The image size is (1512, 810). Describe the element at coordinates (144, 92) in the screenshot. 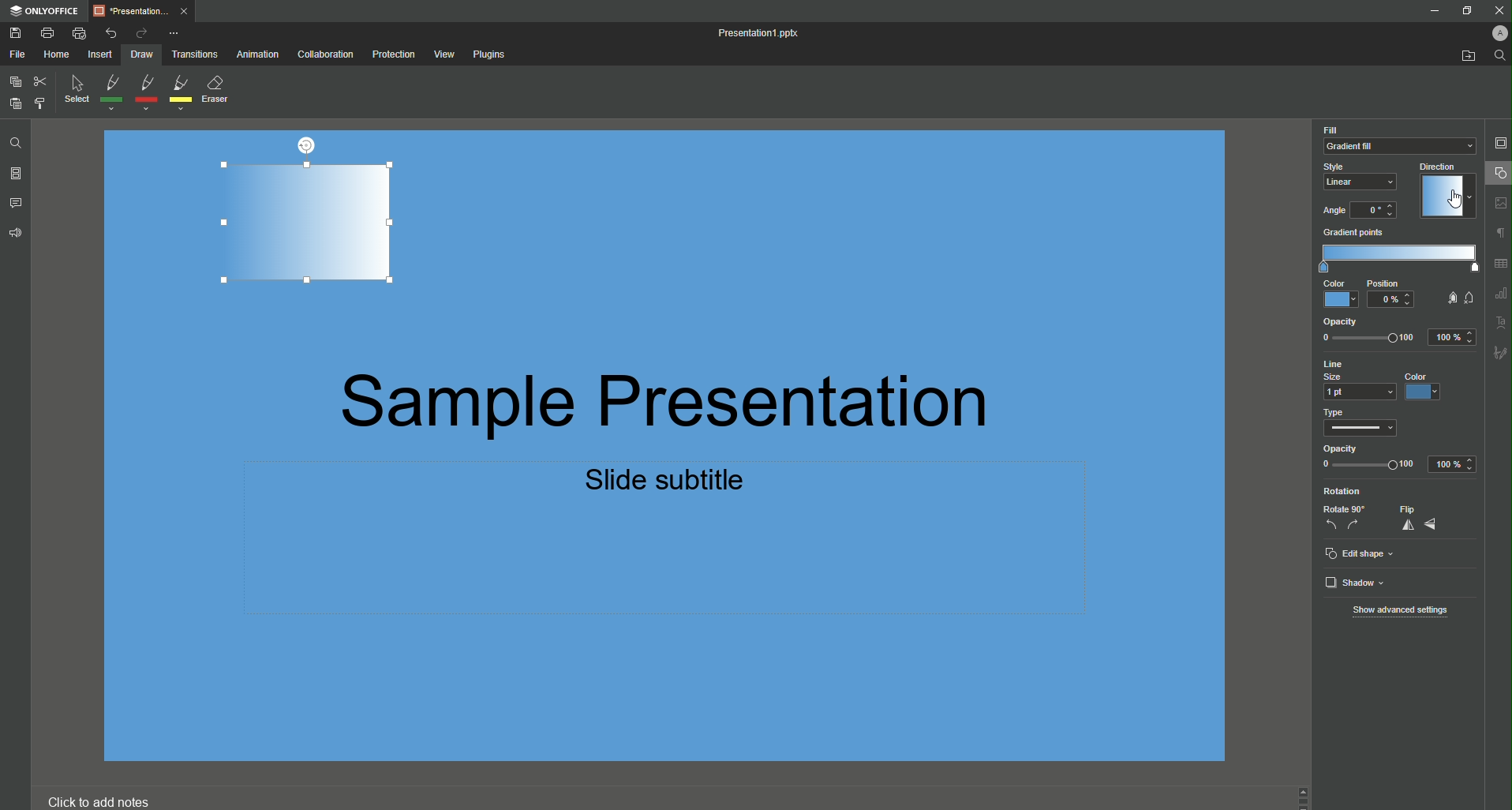

I see `Red` at that location.